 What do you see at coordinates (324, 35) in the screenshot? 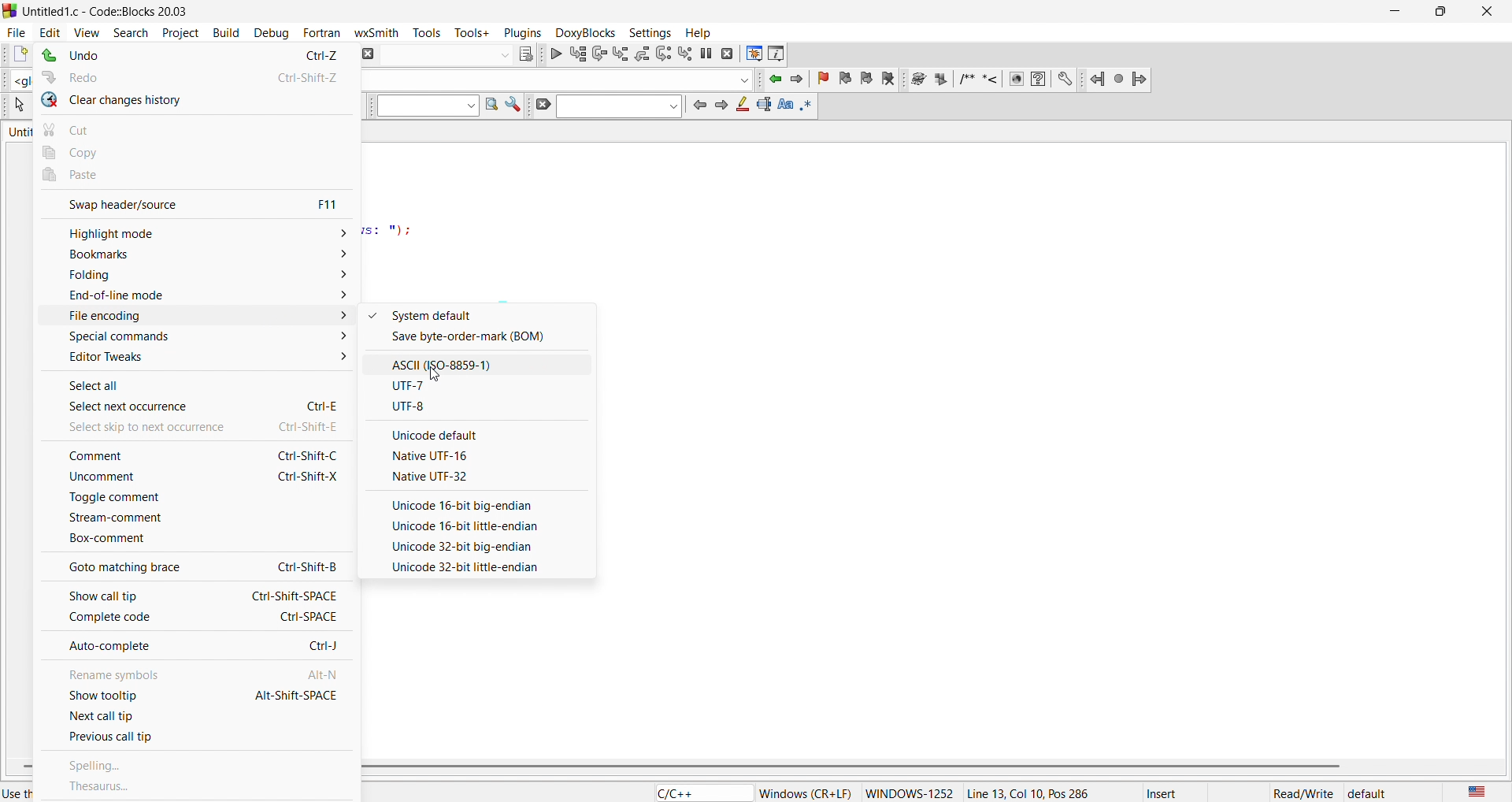
I see `fortan` at bounding box center [324, 35].